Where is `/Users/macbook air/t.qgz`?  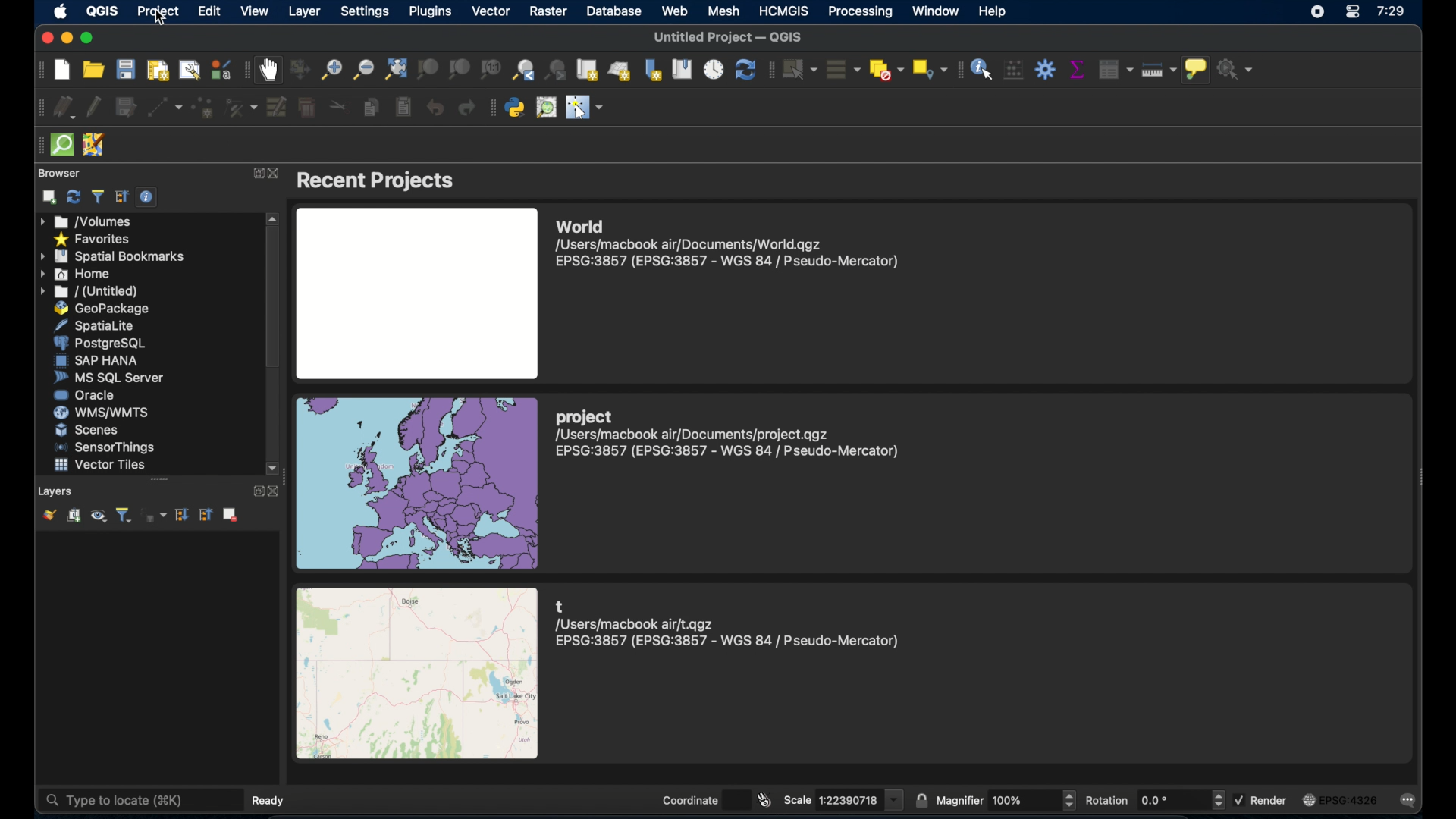
/Users/macbook air/t.qgz is located at coordinates (636, 623).